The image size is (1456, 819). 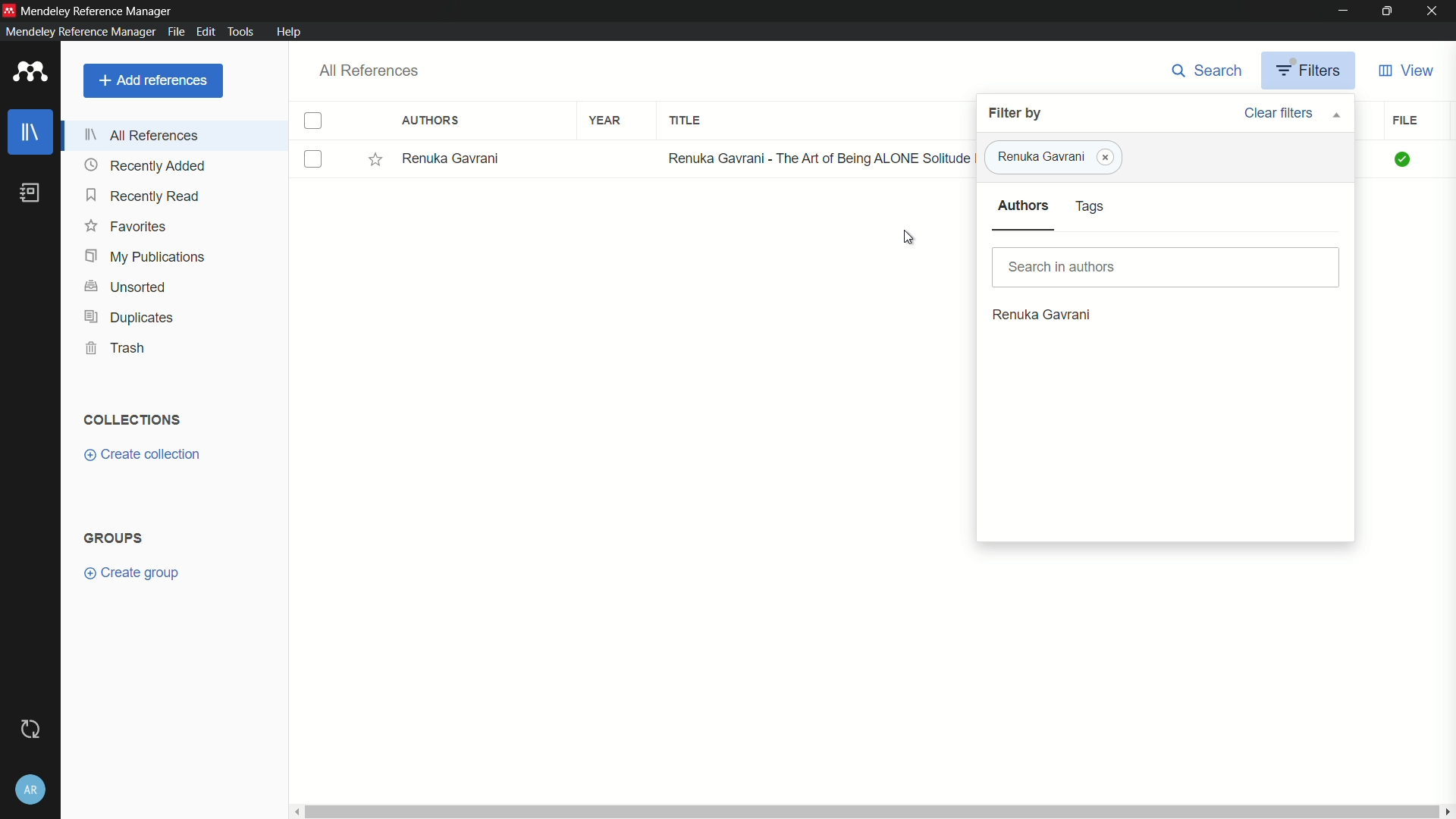 I want to click on edit menu, so click(x=206, y=30).